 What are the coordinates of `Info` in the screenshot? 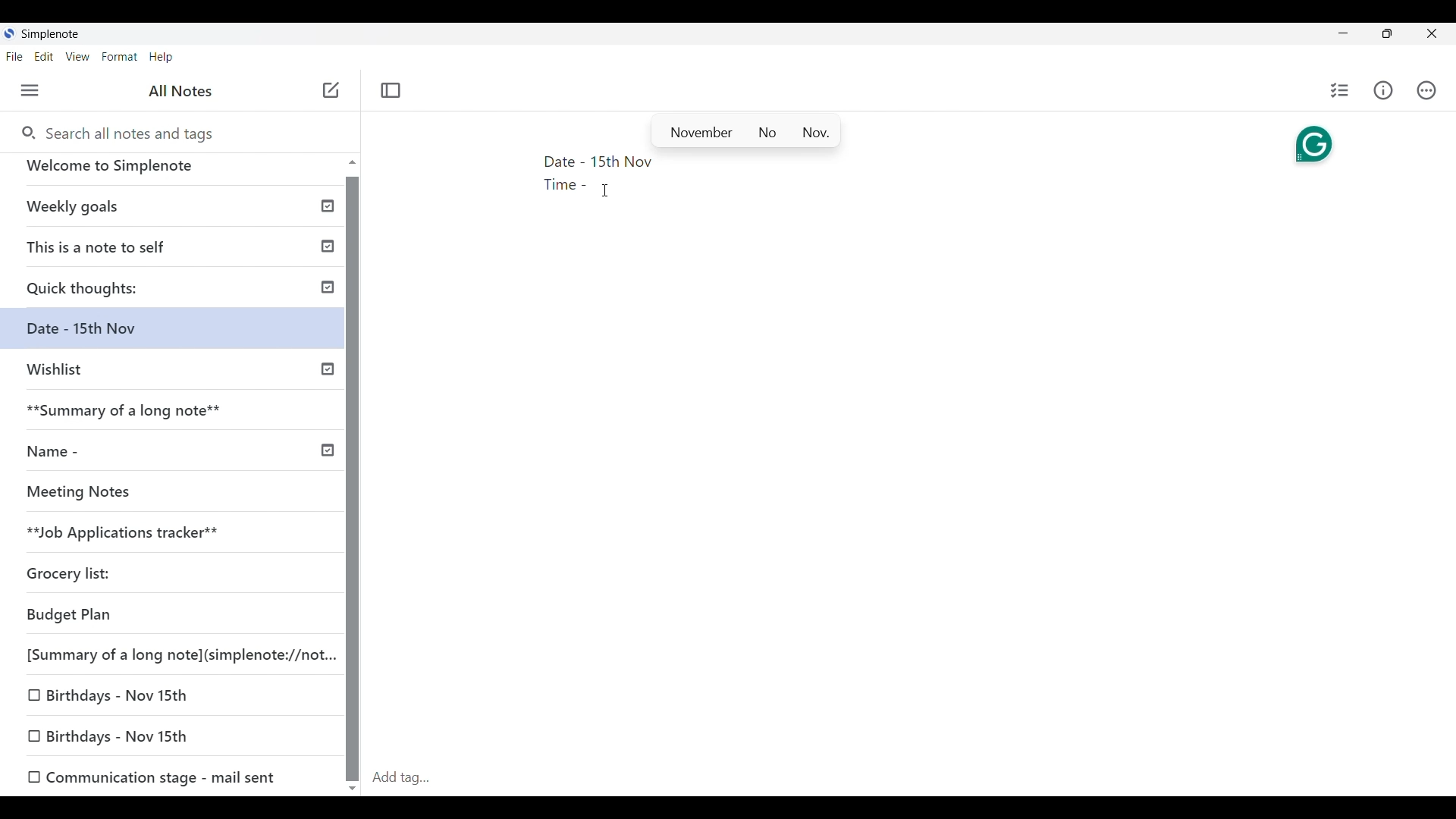 It's located at (1383, 90).